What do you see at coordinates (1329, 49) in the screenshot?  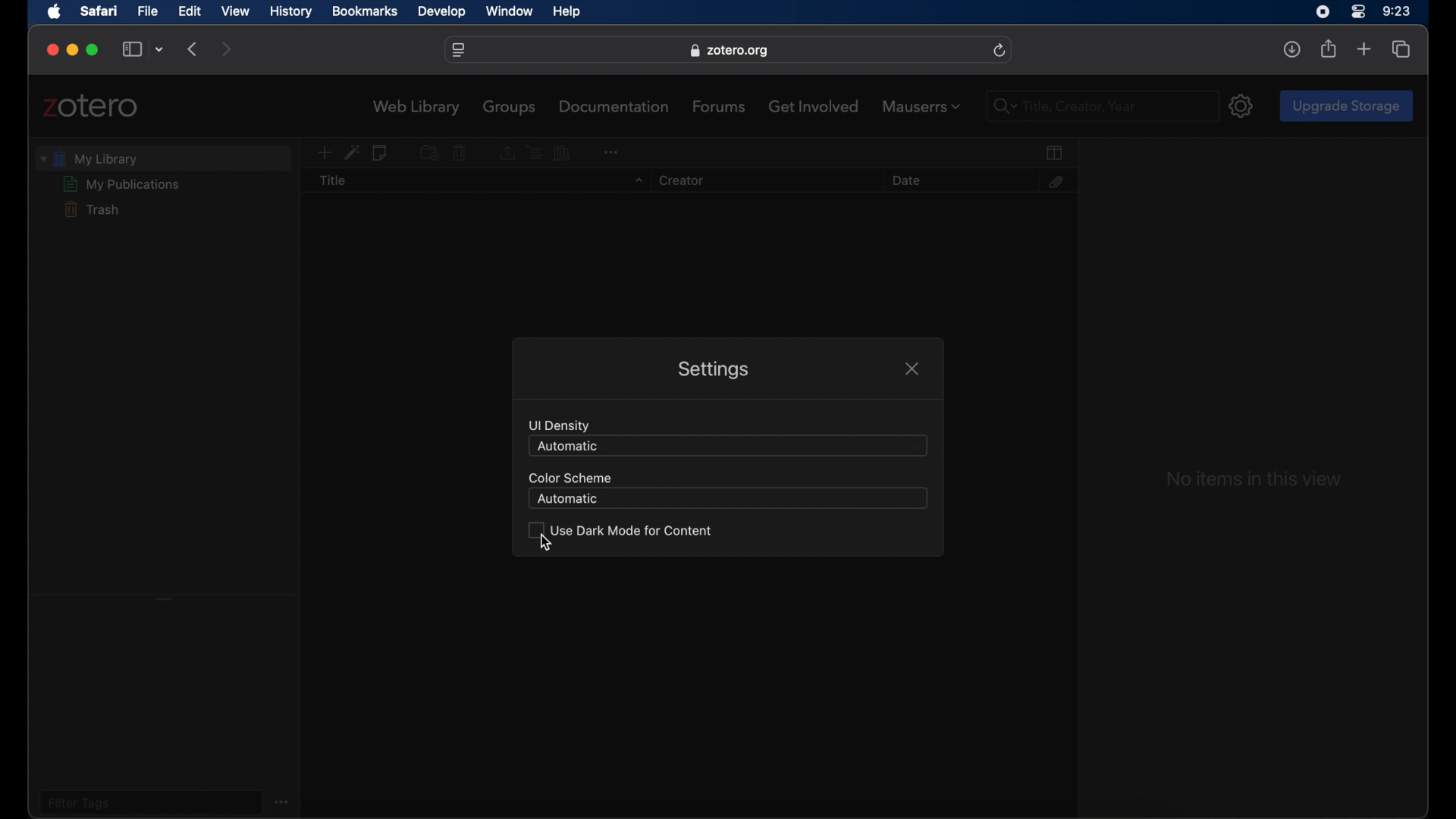 I see `share` at bounding box center [1329, 49].